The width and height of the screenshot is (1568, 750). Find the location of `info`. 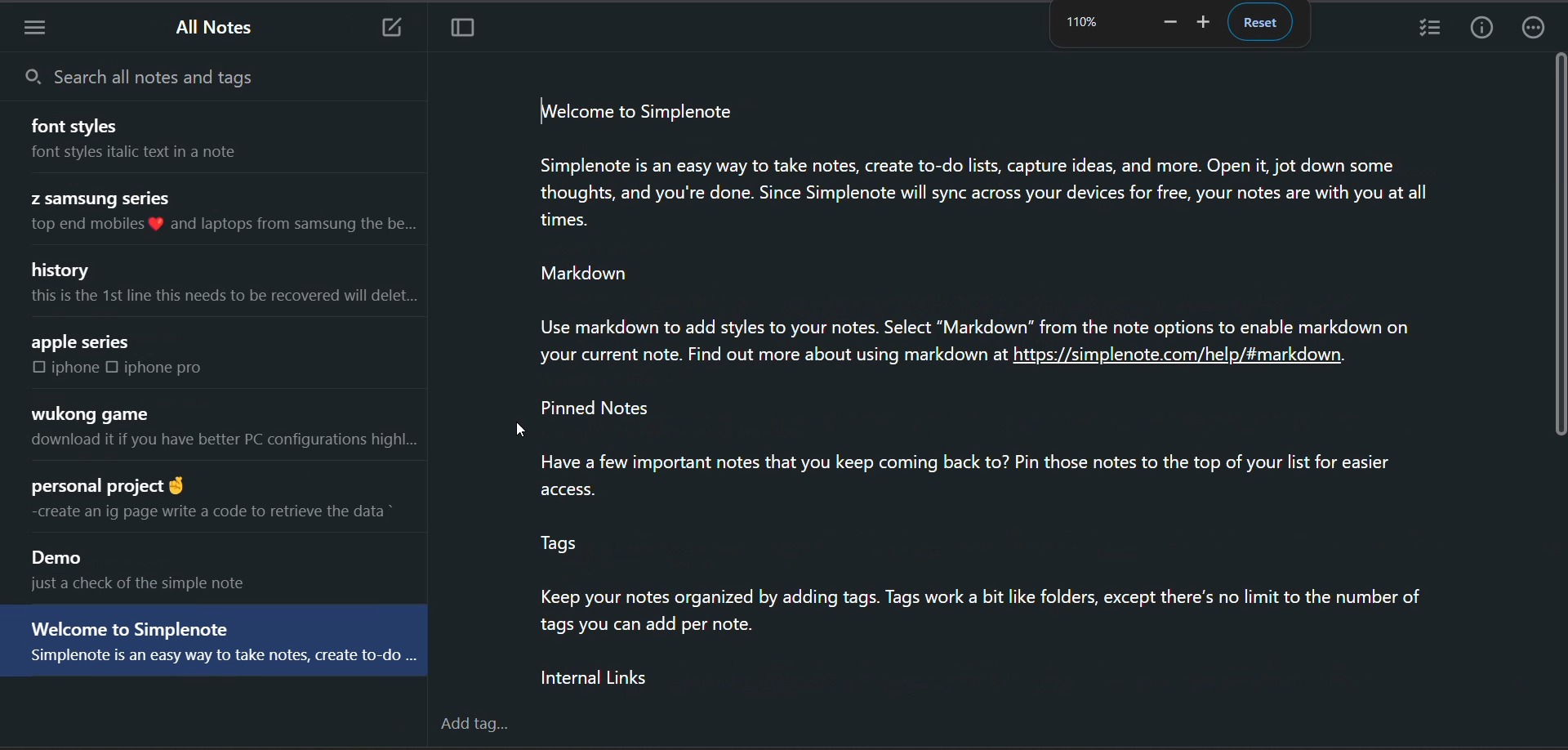

info is located at coordinates (1486, 29).